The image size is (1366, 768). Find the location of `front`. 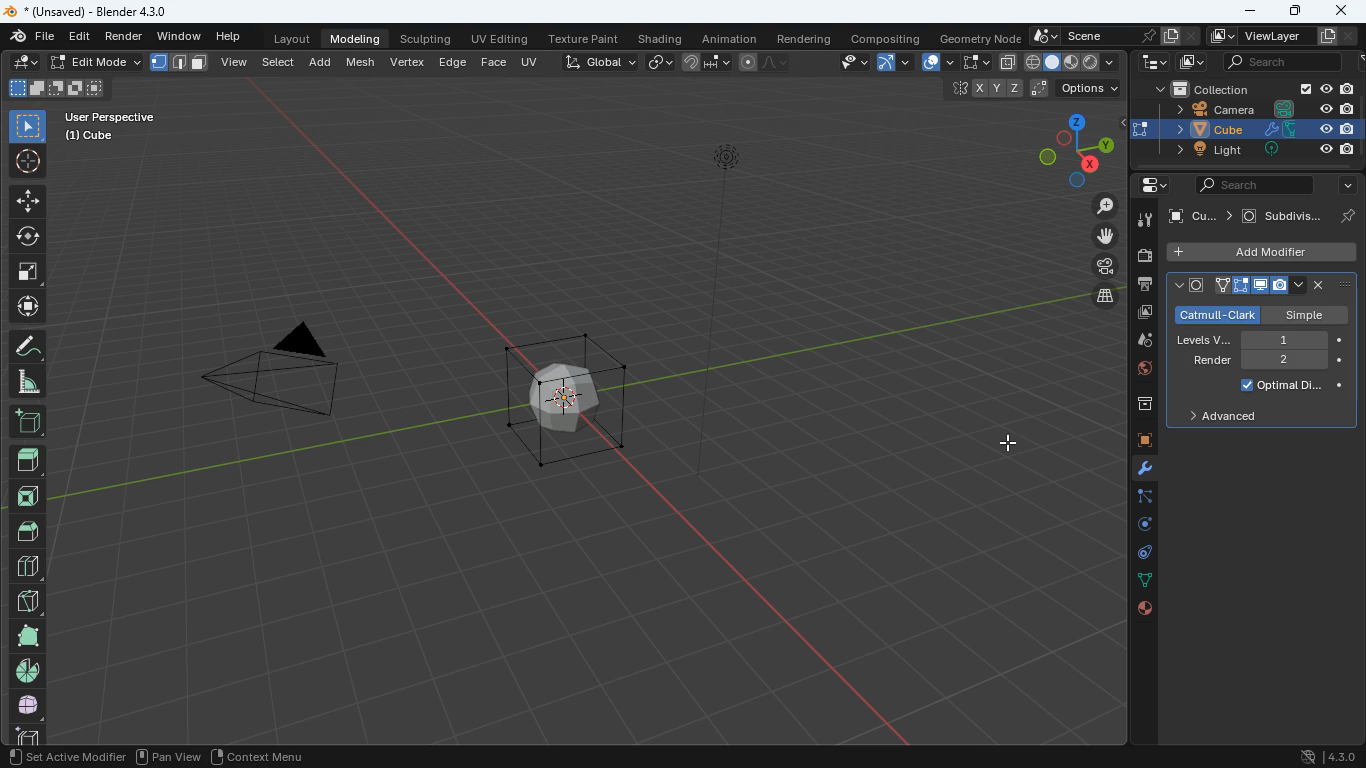

front is located at coordinates (28, 500).